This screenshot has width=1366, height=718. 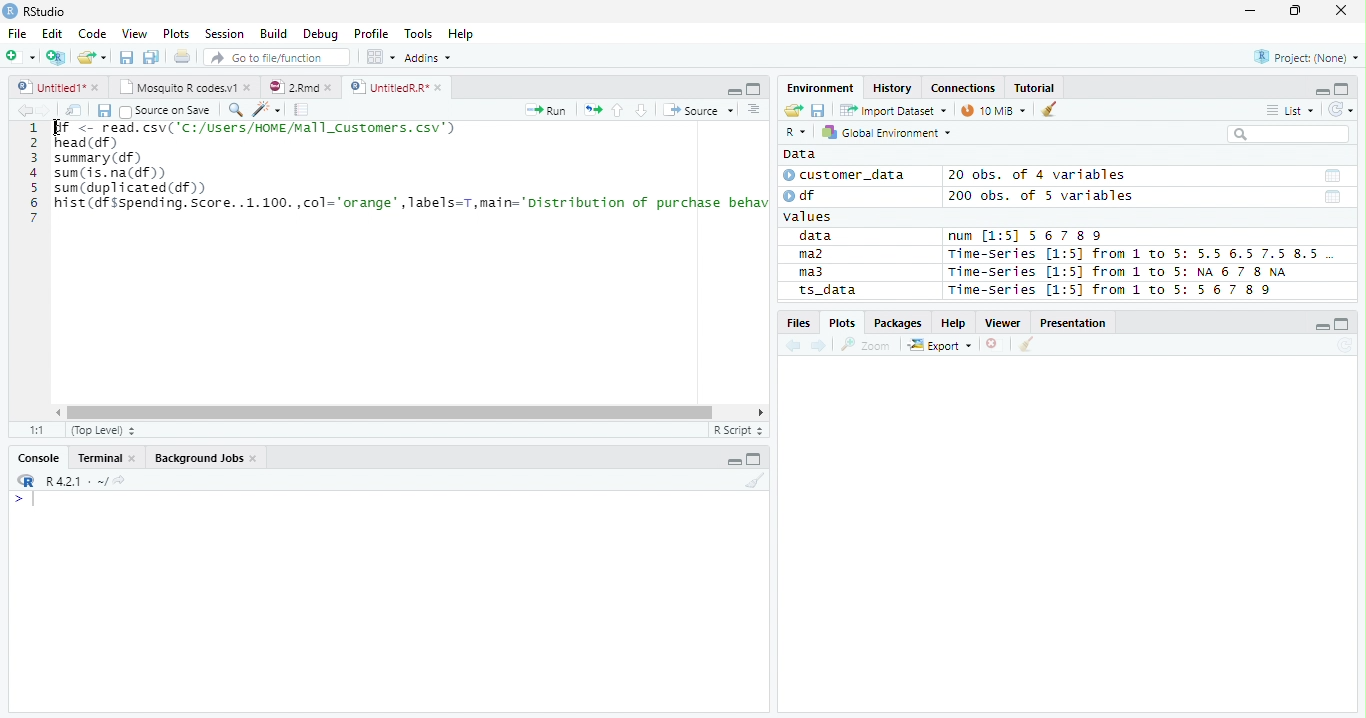 What do you see at coordinates (842, 322) in the screenshot?
I see `Plots` at bounding box center [842, 322].